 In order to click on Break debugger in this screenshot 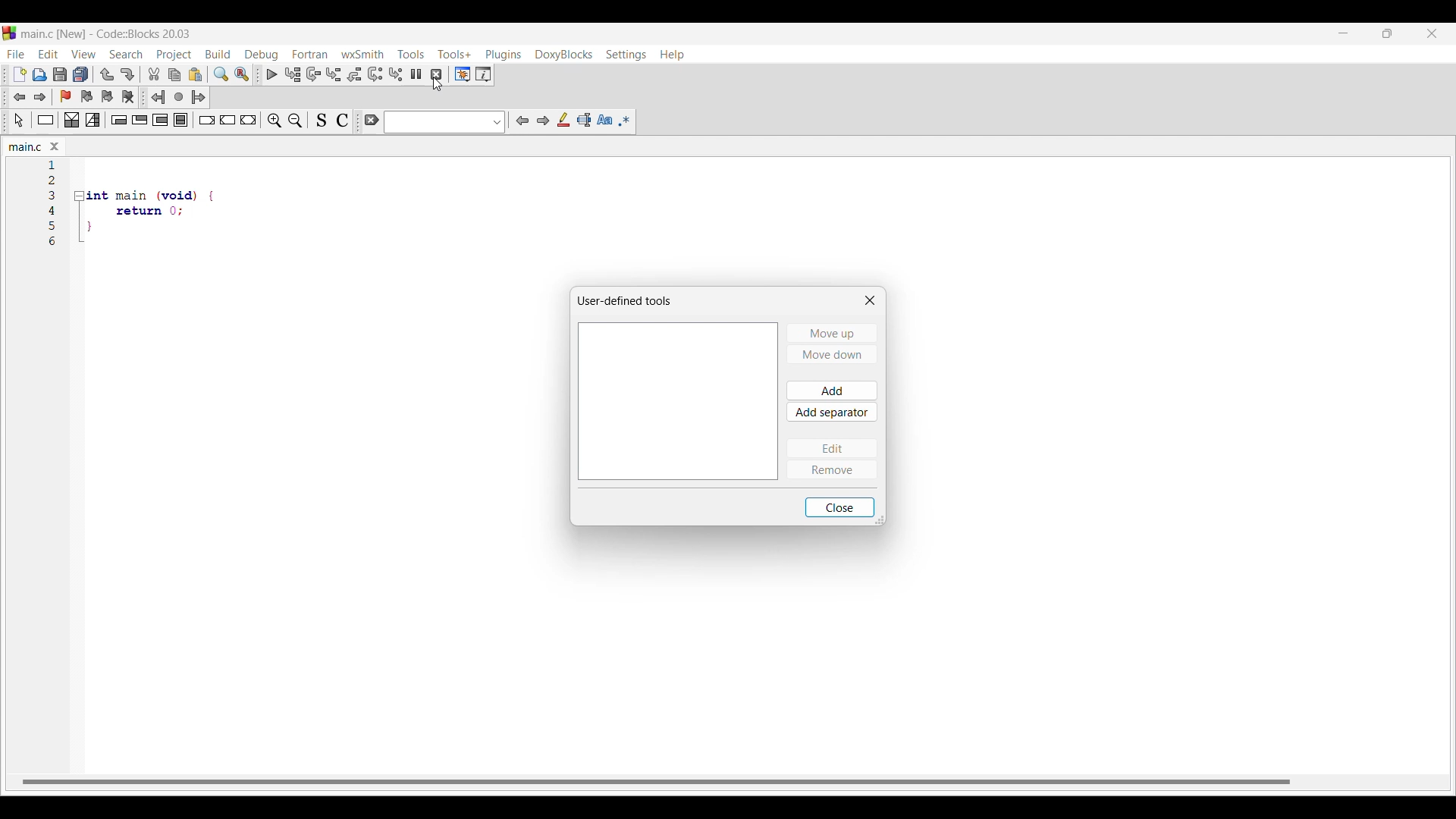, I will do `click(416, 74)`.